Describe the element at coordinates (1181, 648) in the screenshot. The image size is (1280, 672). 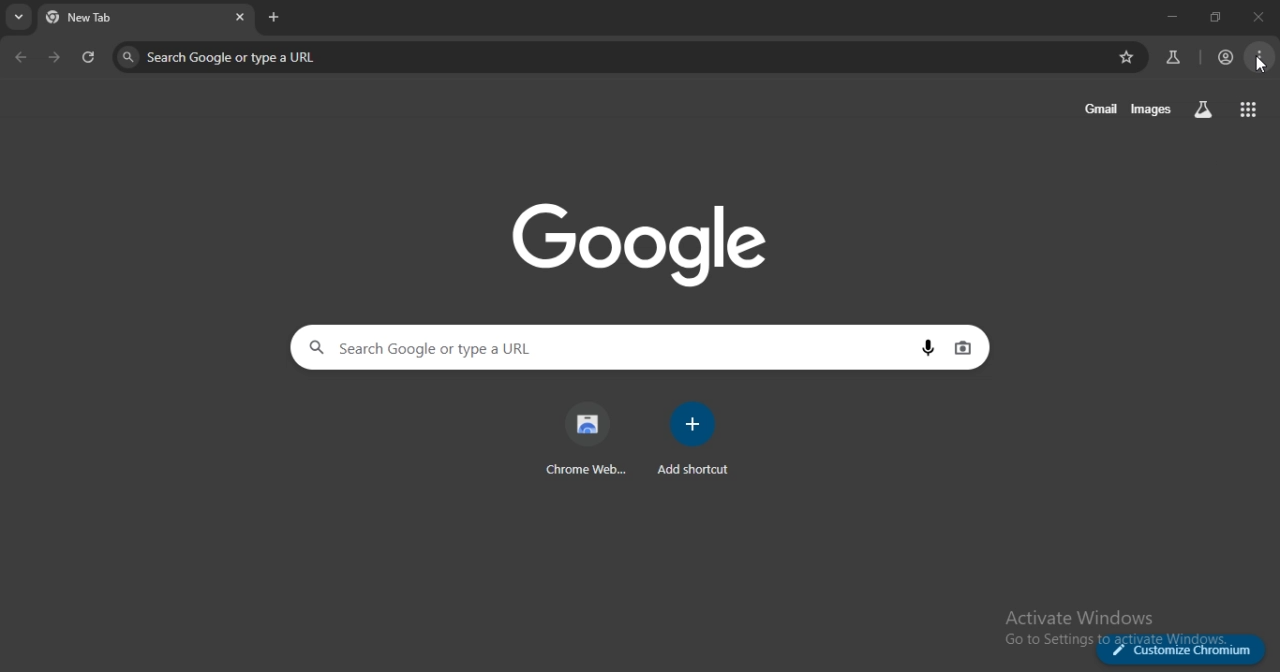
I see `customize chromium` at that location.